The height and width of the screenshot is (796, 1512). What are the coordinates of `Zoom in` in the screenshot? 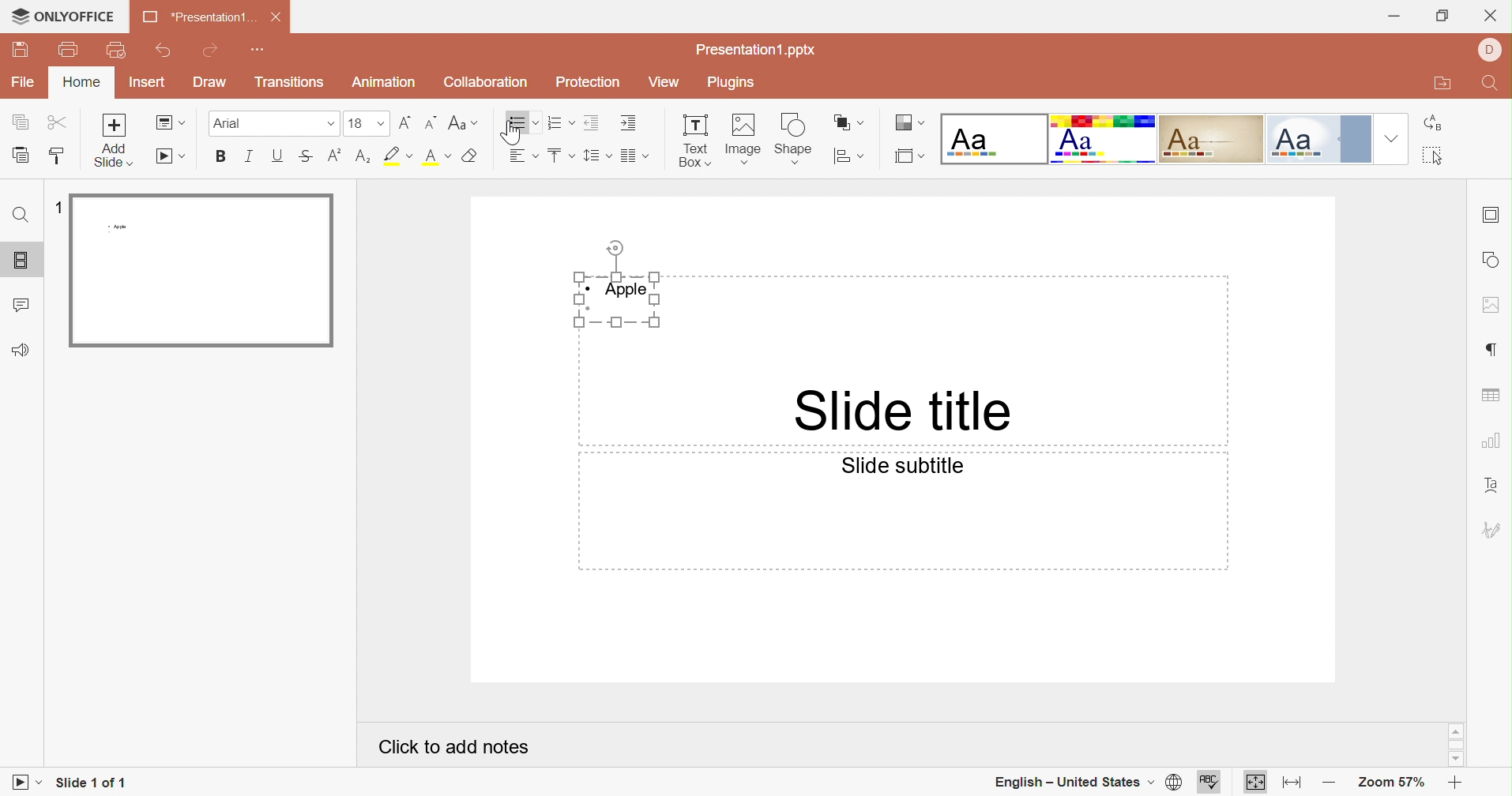 It's located at (1455, 783).